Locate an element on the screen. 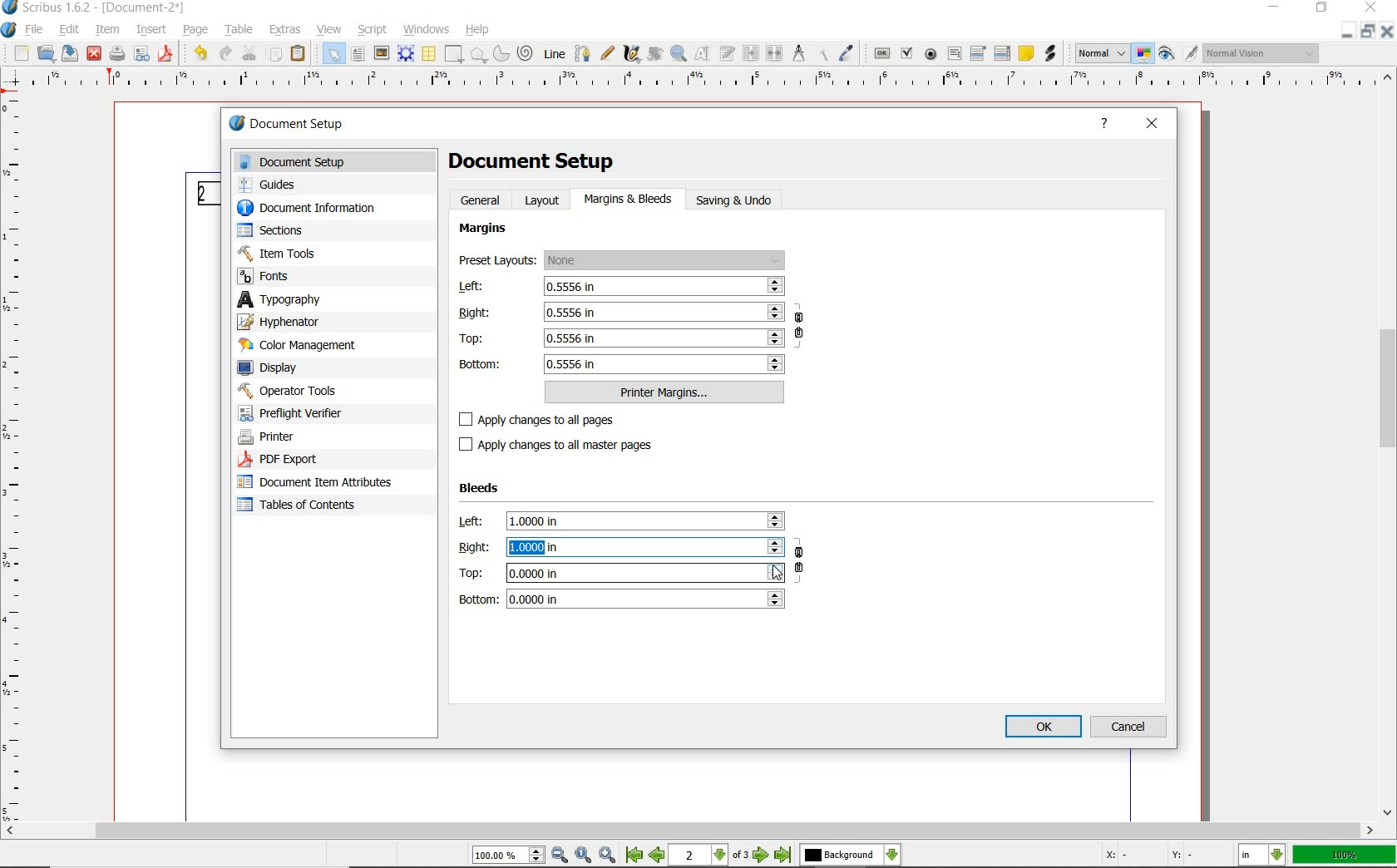 This screenshot has width=1397, height=868. file is located at coordinates (36, 31).